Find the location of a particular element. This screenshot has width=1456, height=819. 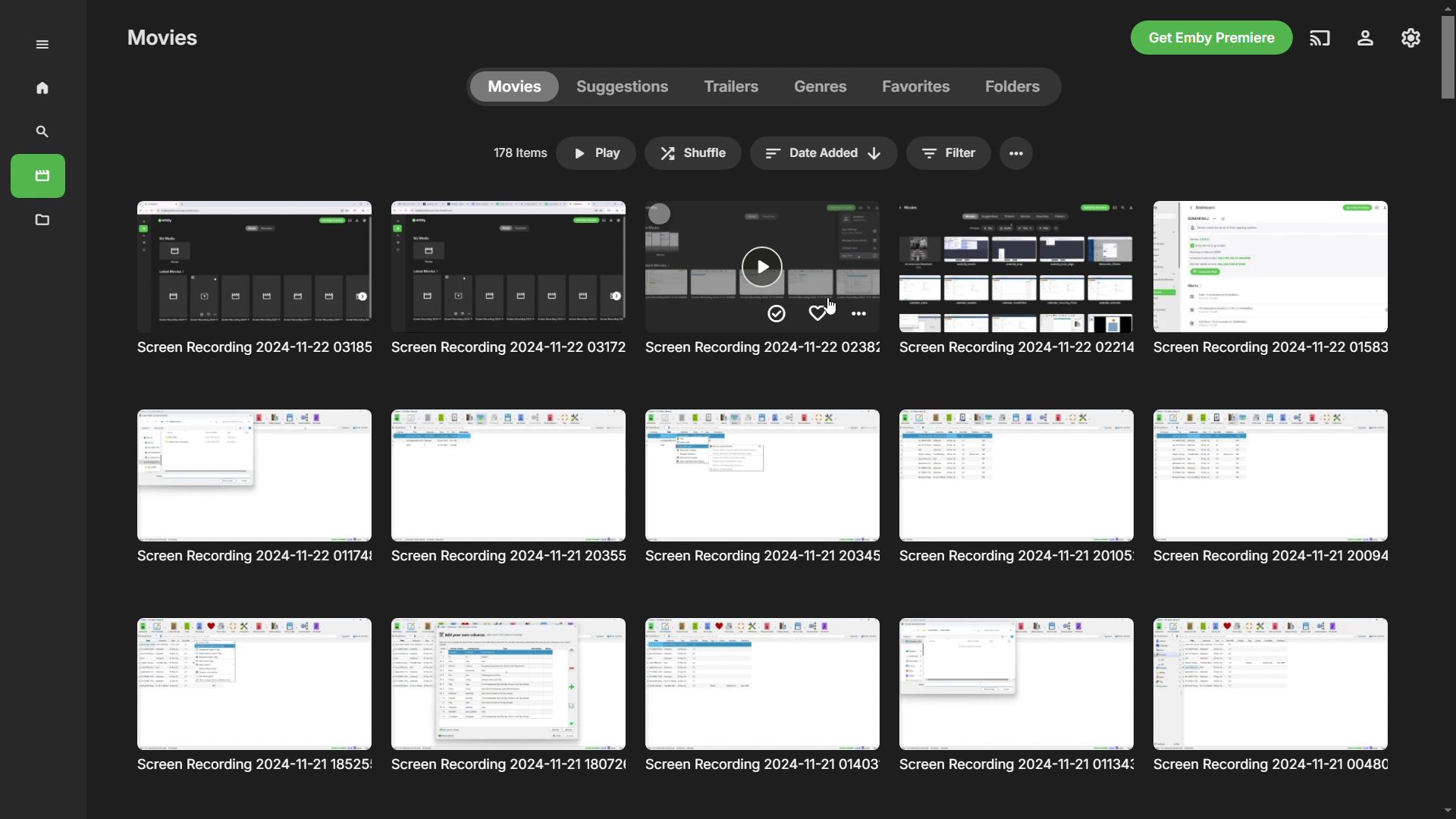

 is located at coordinates (1019, 695).